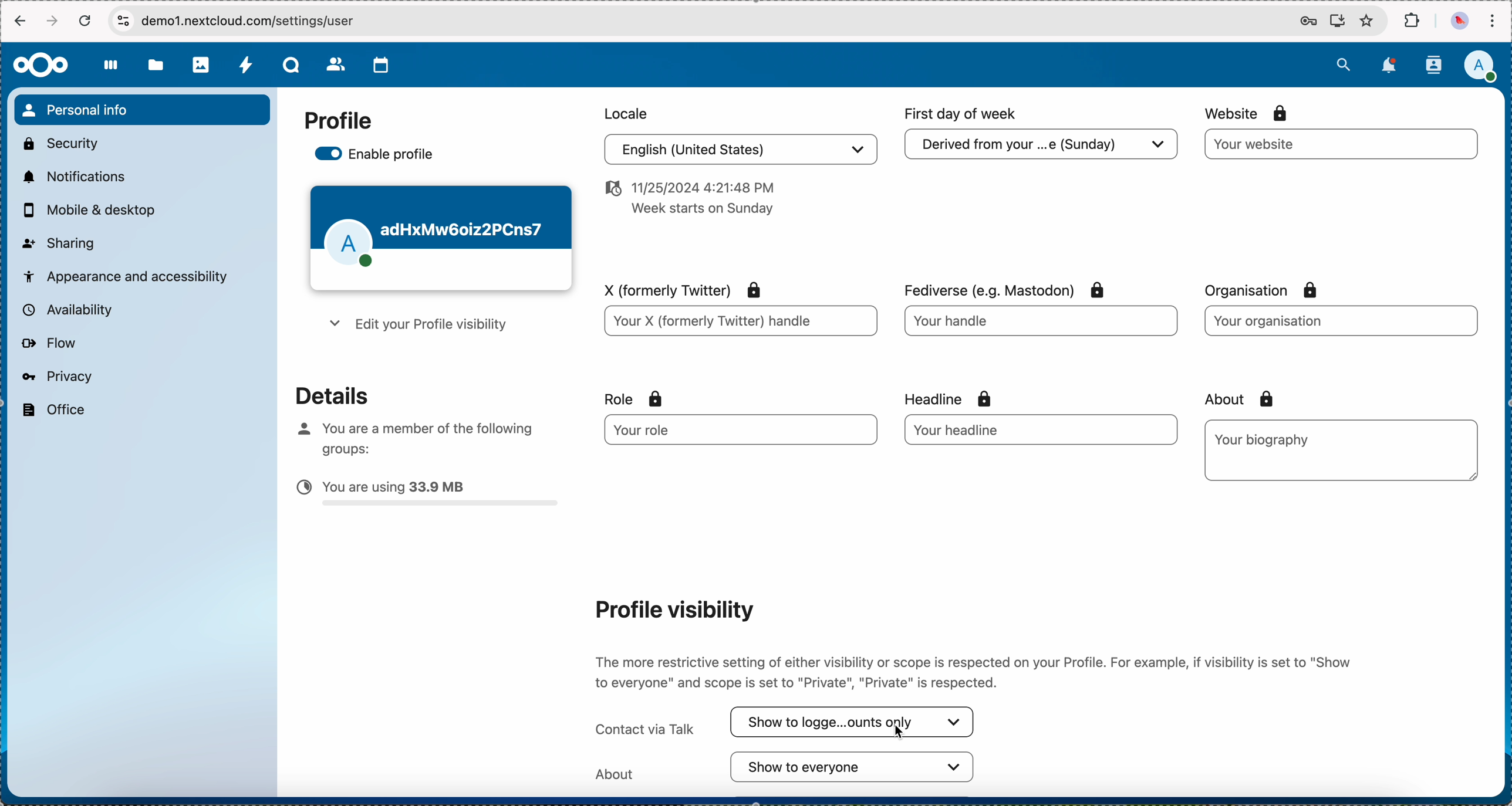 The height and width of the screenshot is (806, 1512). What do you see at coordinates (1235, 399) in the screenshot?
I see `about` at bounding box center [1235, 399].